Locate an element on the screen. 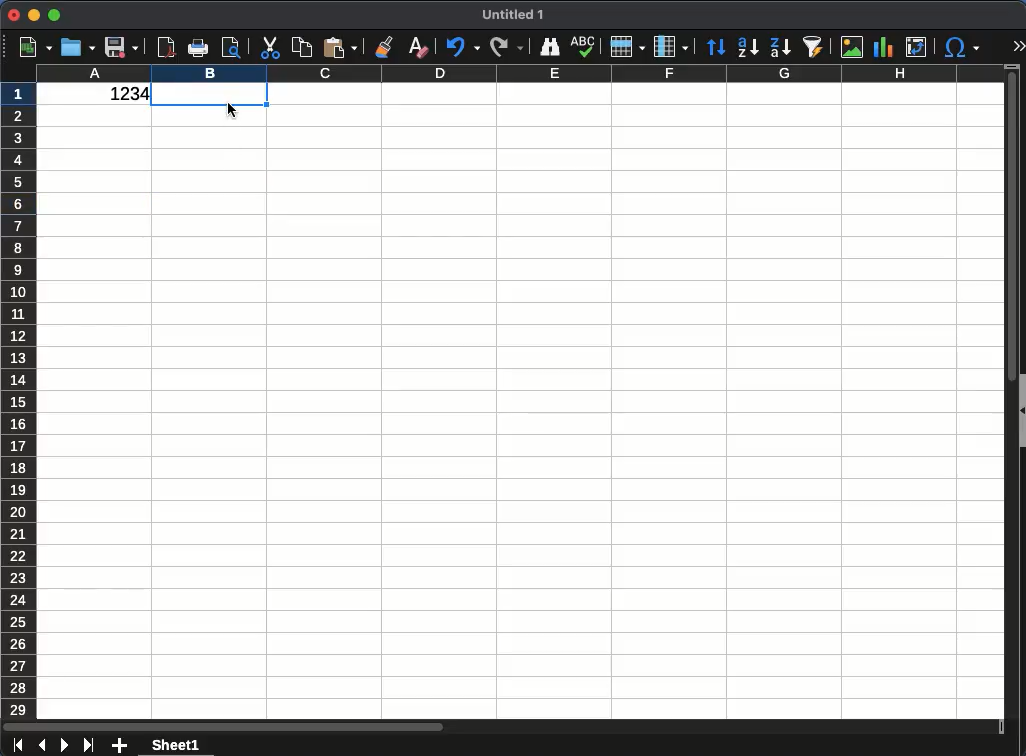 The image size is (1026, 756). collapse is located at coordinates (1021, 412).